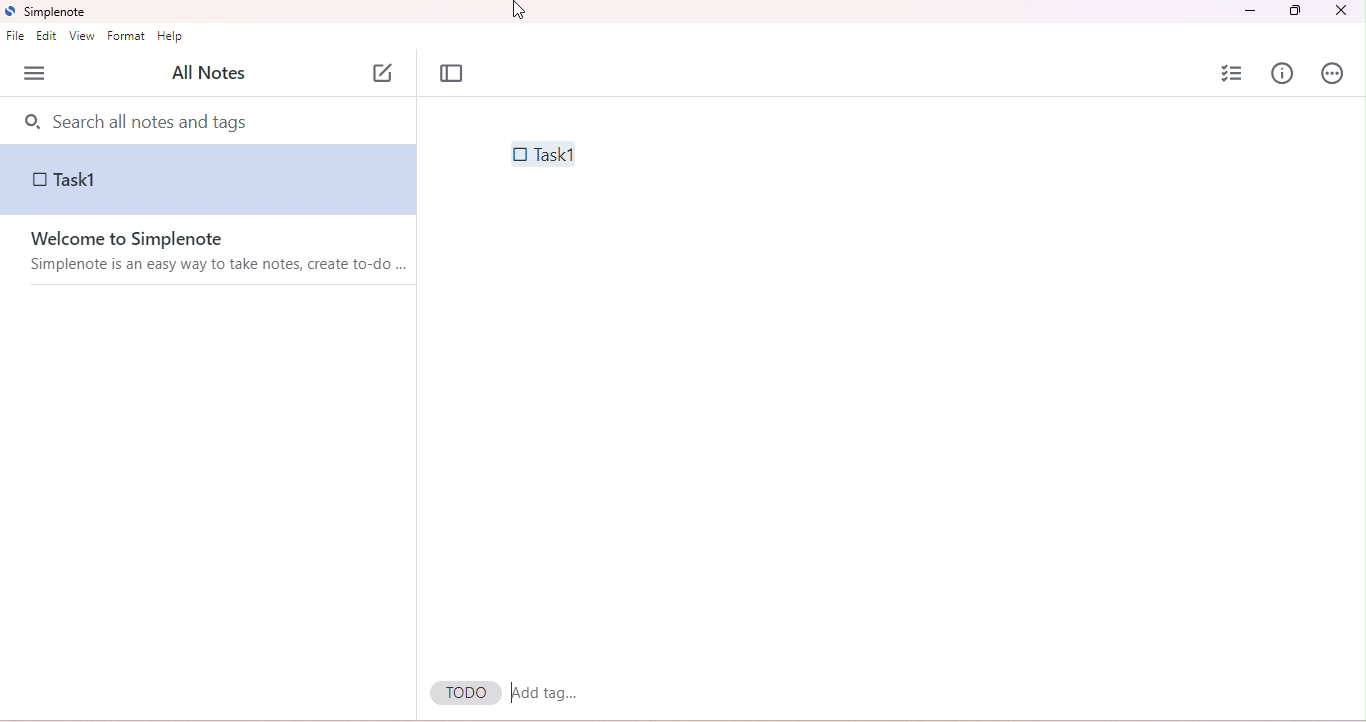  Describe the element at coordinates (1234, 73) in the screenshot. I see `insert checklist` at that location.